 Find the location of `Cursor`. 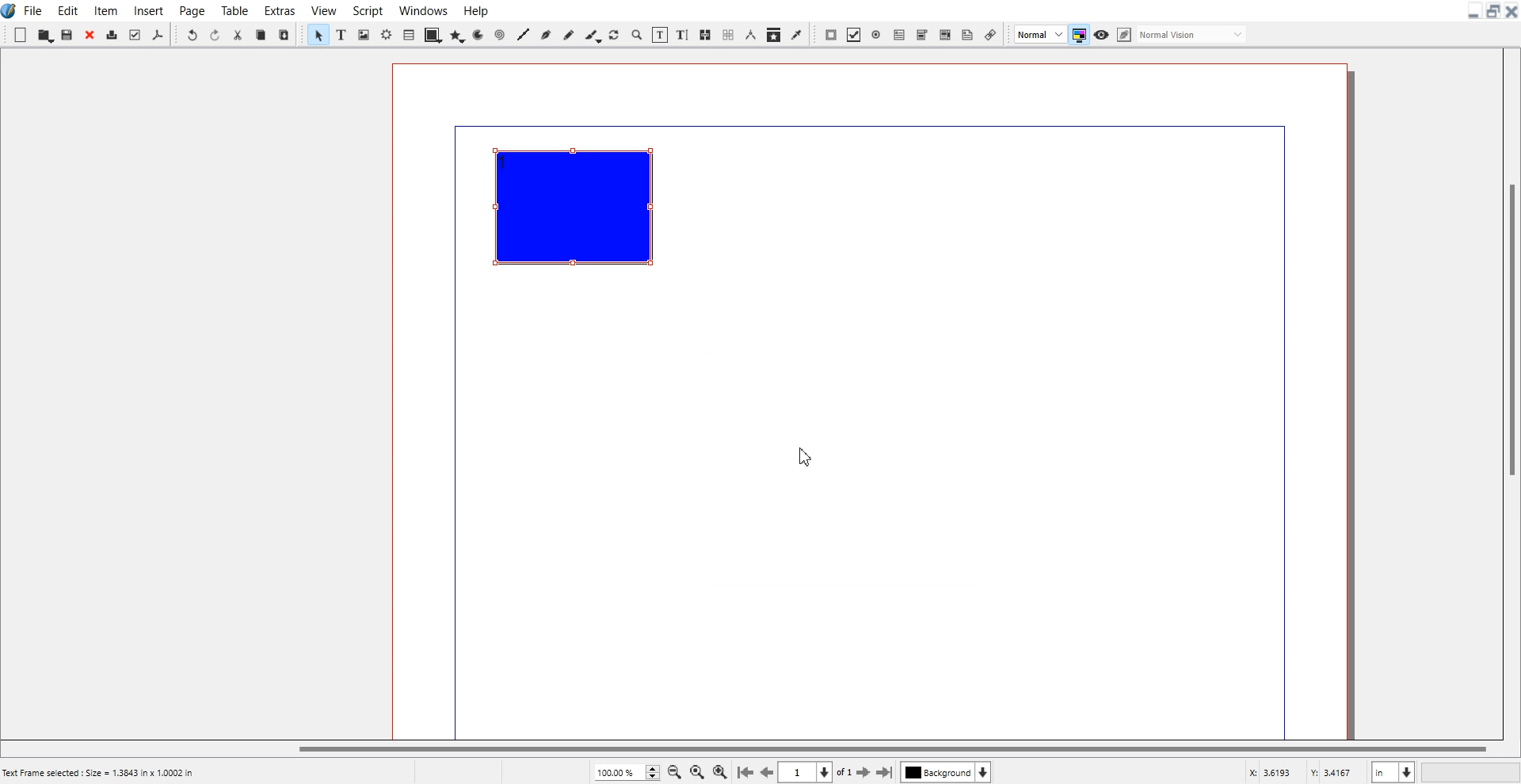

Cursor is located at coordinates (806, 455).